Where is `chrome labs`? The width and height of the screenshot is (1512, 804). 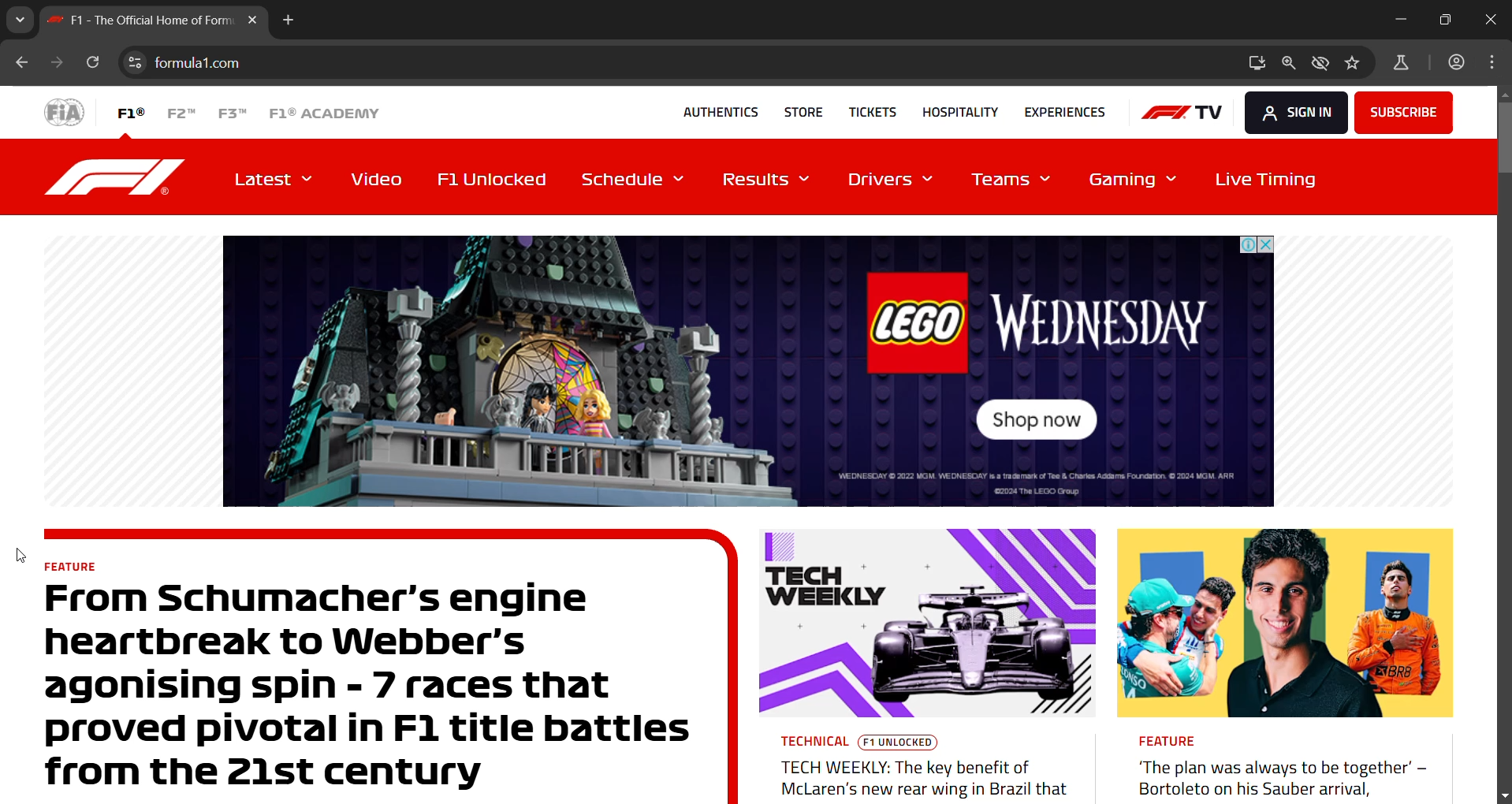
chrome labs is located at coordinates (1401, 66).